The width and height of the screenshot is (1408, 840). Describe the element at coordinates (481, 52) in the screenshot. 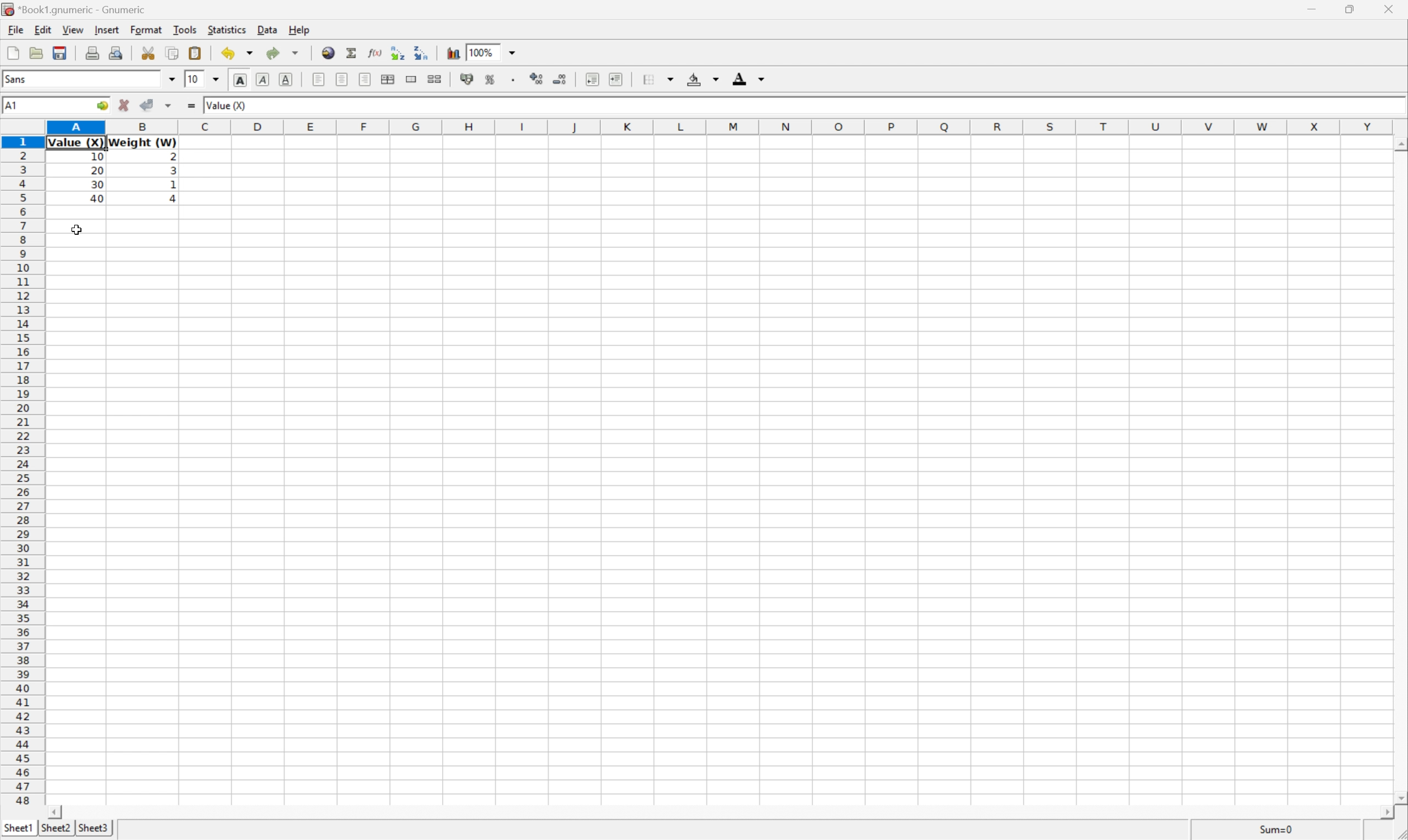

I see `100%` at that location.